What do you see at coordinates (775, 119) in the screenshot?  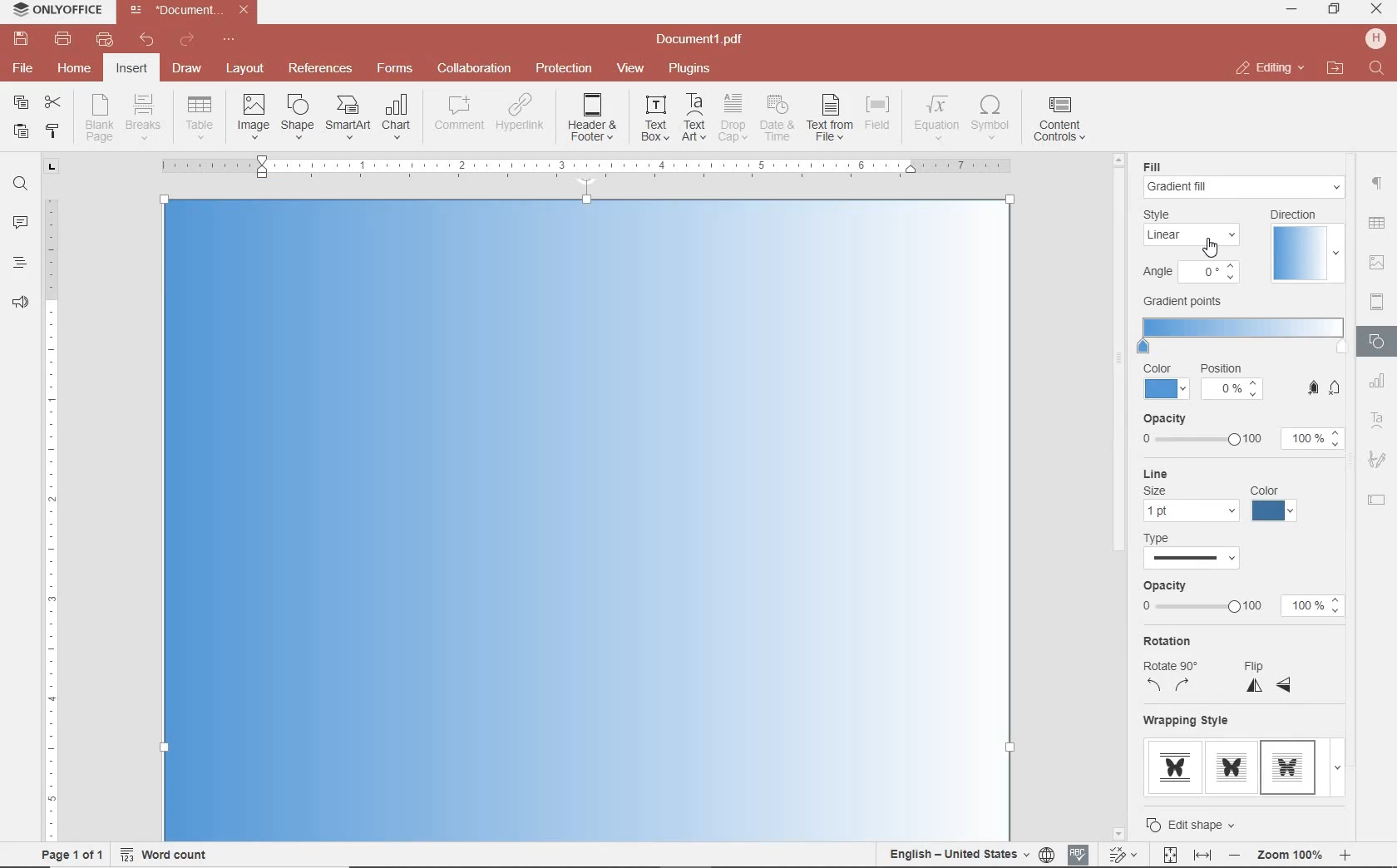 I see `INSERT CURRENT DATE AND TIME` at bounding box center [775, 119].